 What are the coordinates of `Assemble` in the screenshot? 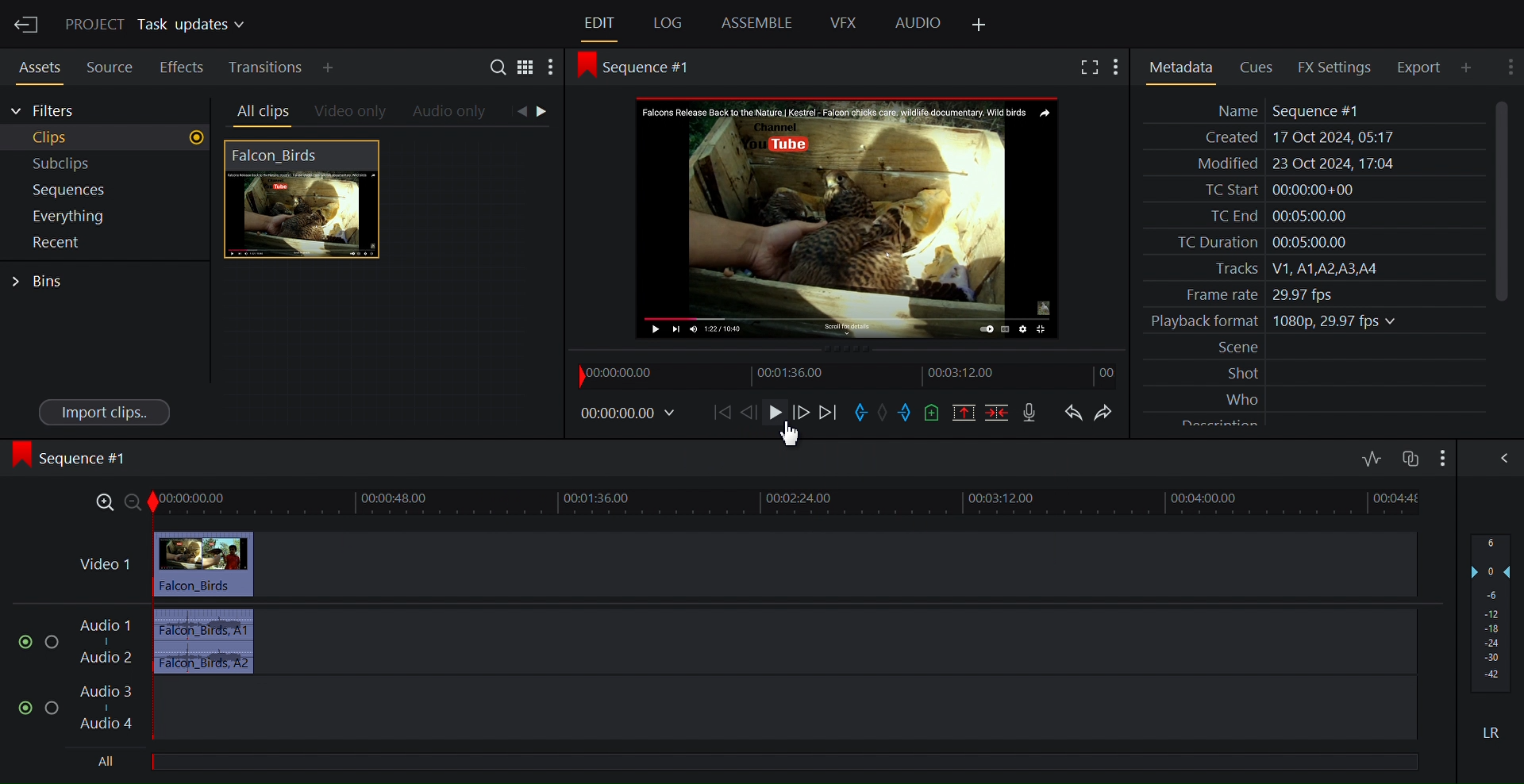 It's located at (758, 22).